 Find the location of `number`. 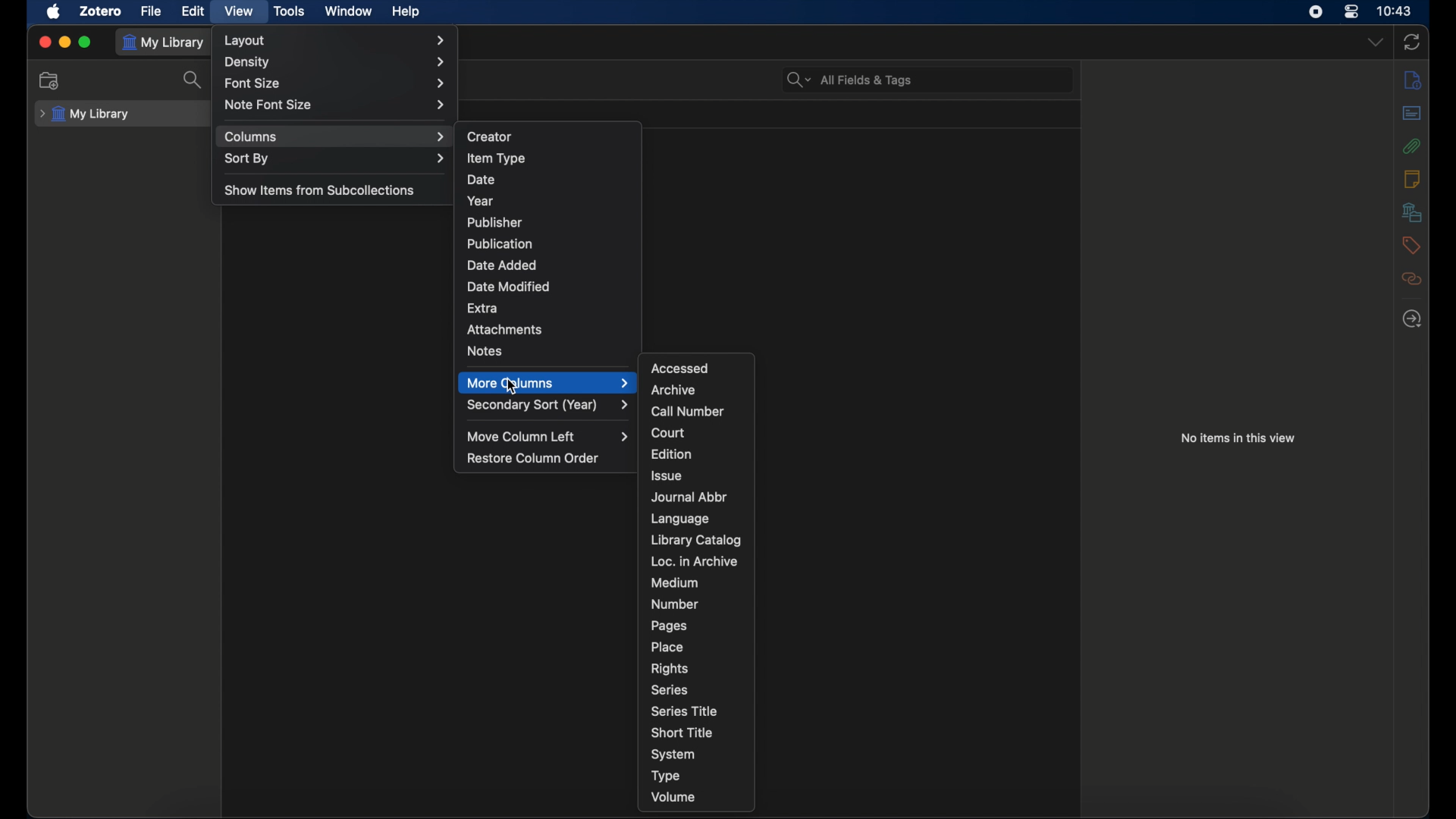

number is located at coordinates (674, 604).